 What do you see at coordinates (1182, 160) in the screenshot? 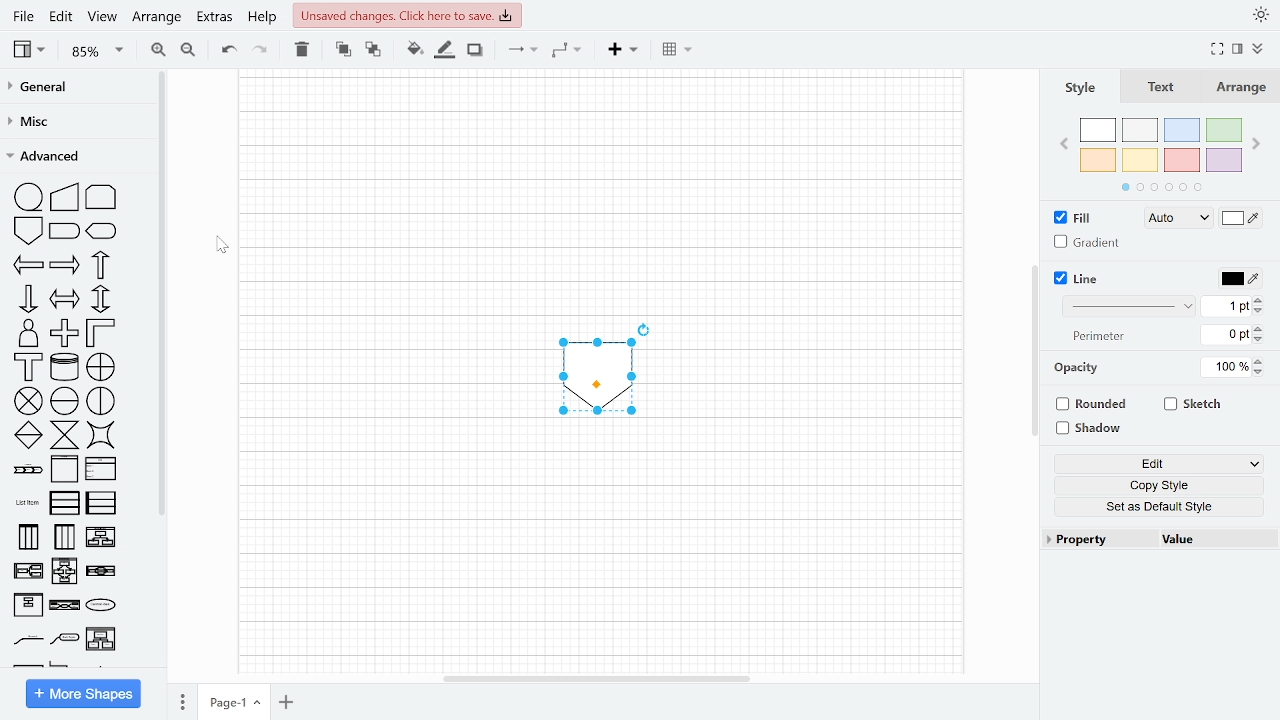
I see `red` at bounding box center [1182, 160].